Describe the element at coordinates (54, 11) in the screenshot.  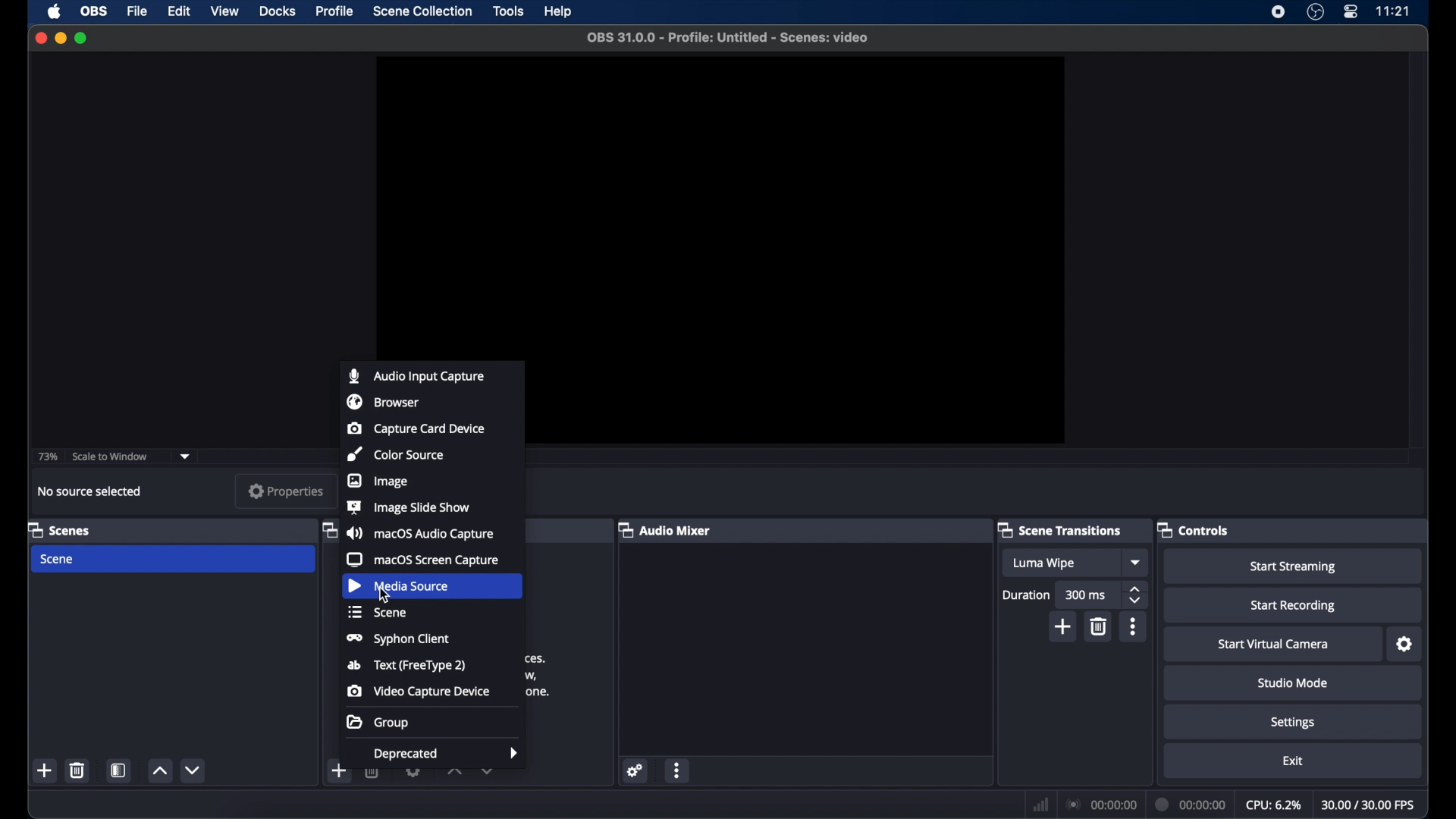
I see `apple icon` at that location.